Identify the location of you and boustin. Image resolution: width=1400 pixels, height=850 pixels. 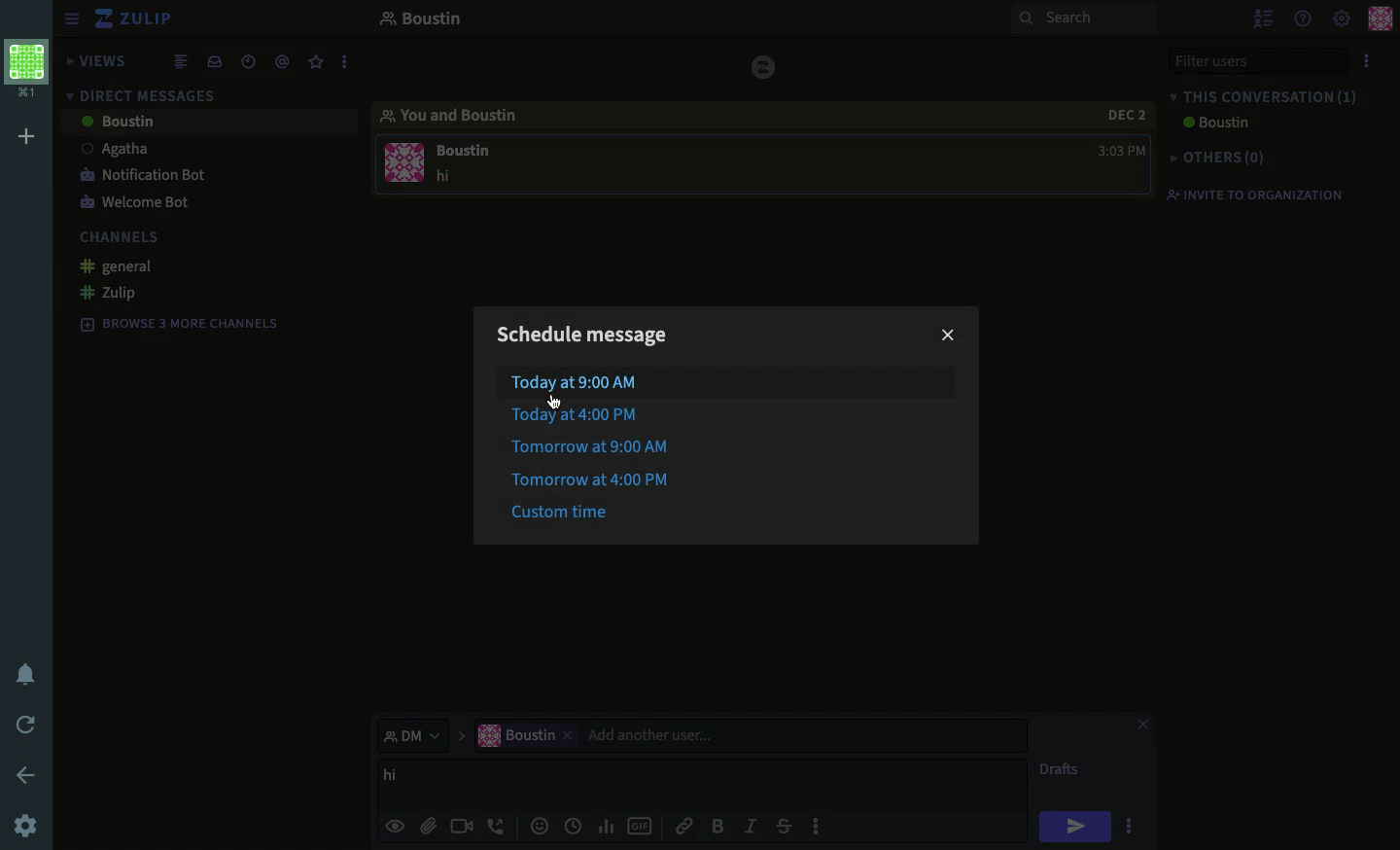
(460, 114).